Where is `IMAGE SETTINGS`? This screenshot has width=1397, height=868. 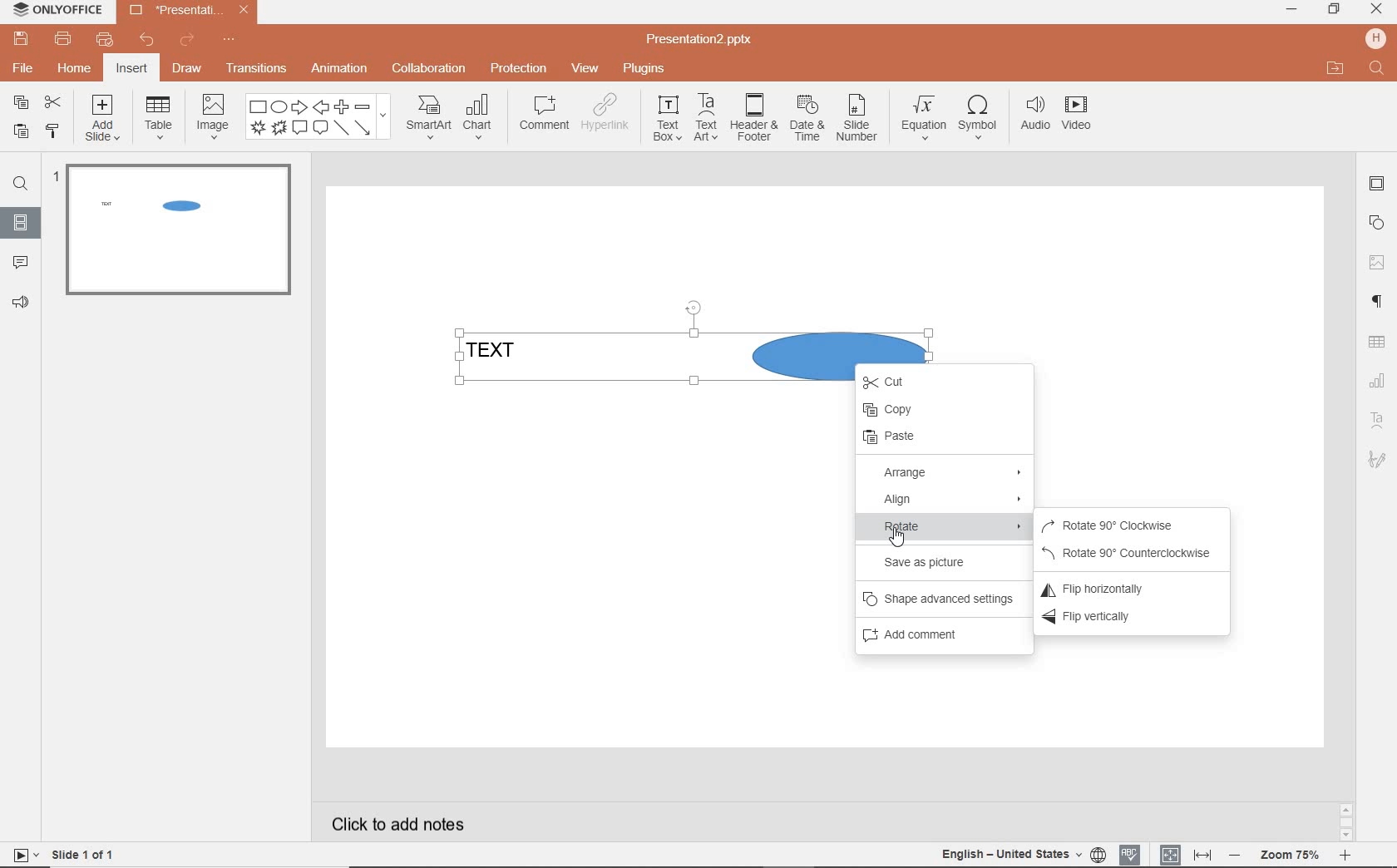
IMAGE SETTINGS is located at coordinates (1377, 262).